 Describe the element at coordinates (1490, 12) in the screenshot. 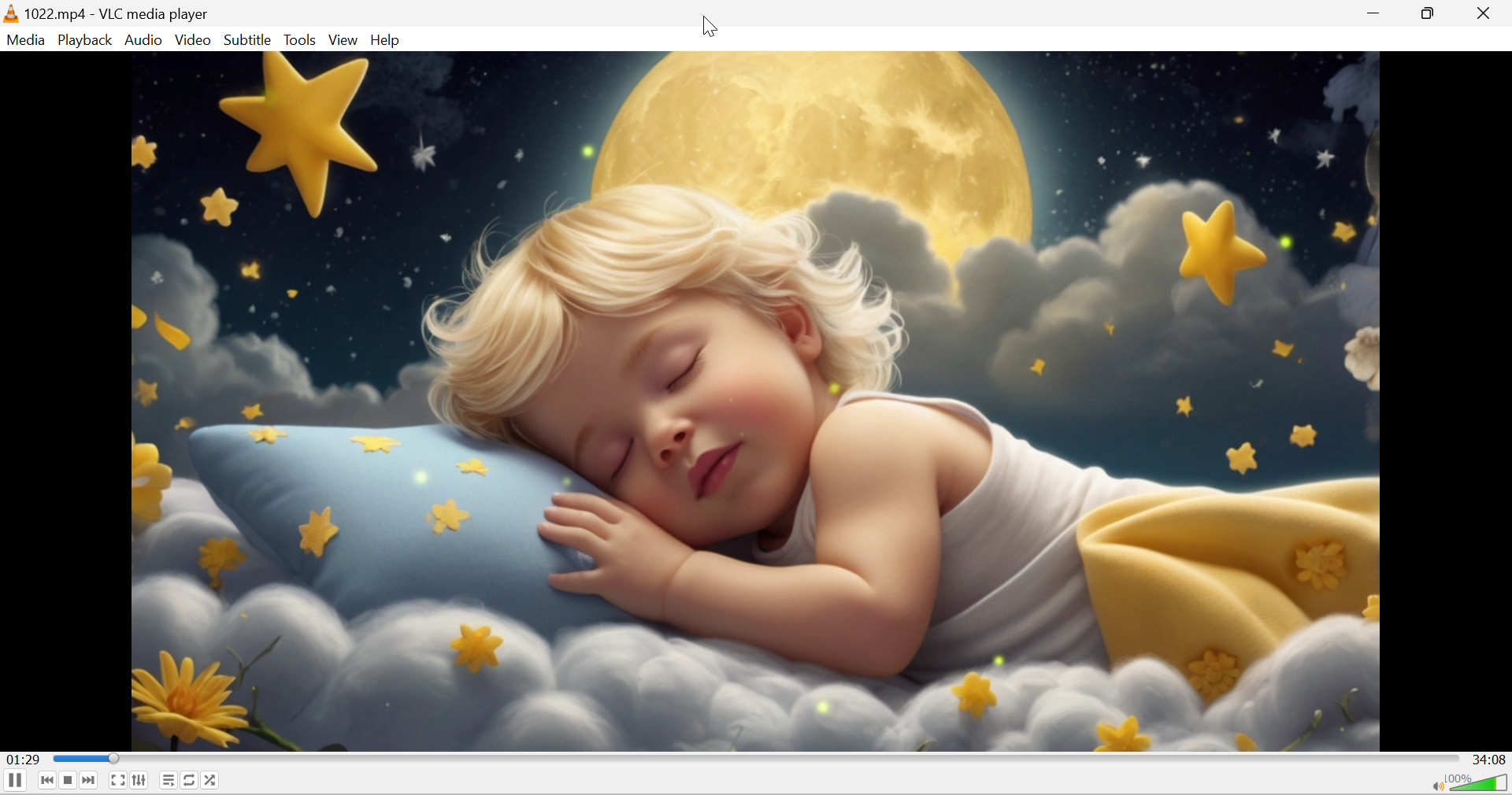

I see `Close` at that location.